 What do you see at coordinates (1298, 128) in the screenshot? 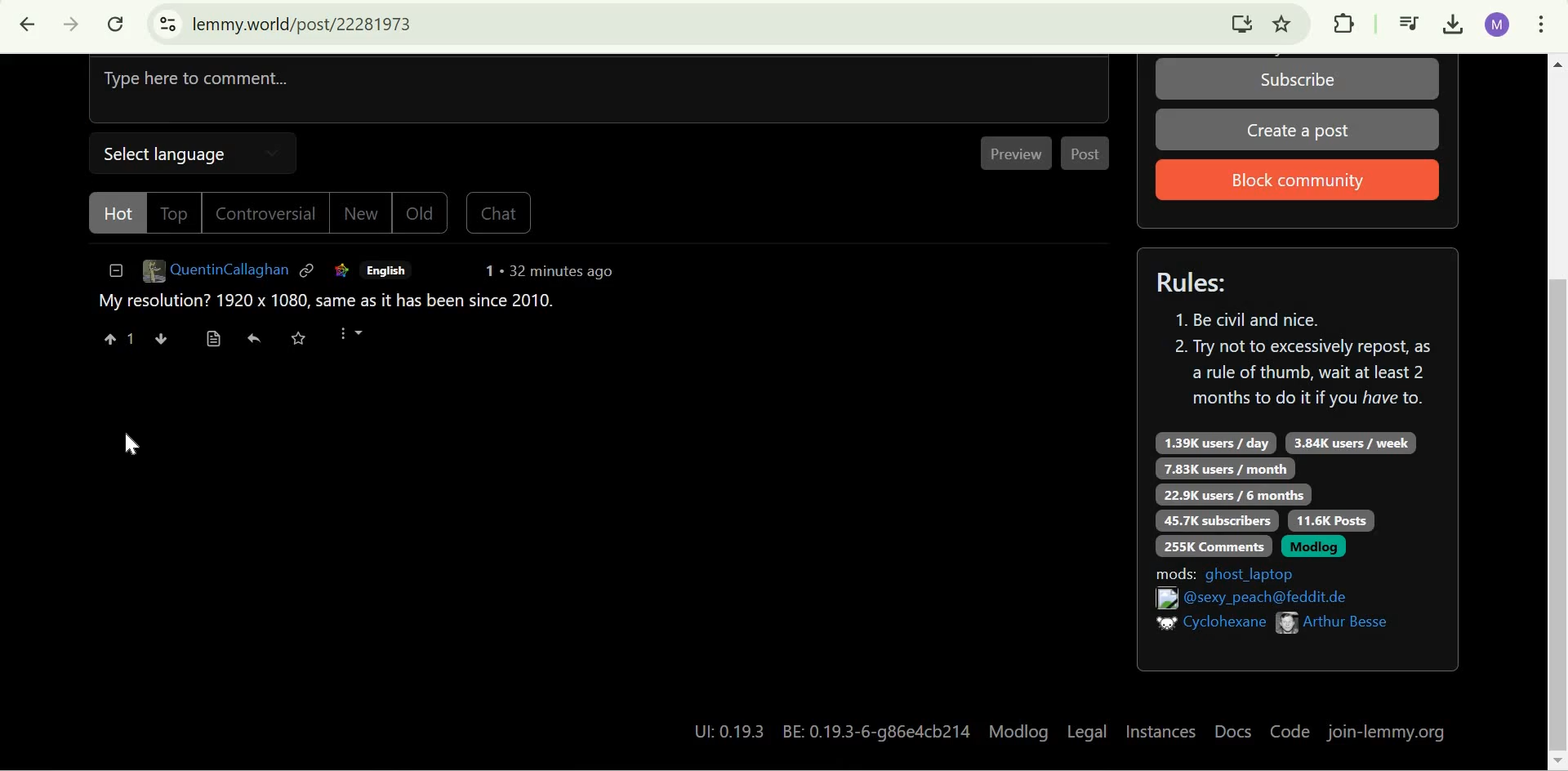
I see `Create a post` at bounding box center [1298, 128].